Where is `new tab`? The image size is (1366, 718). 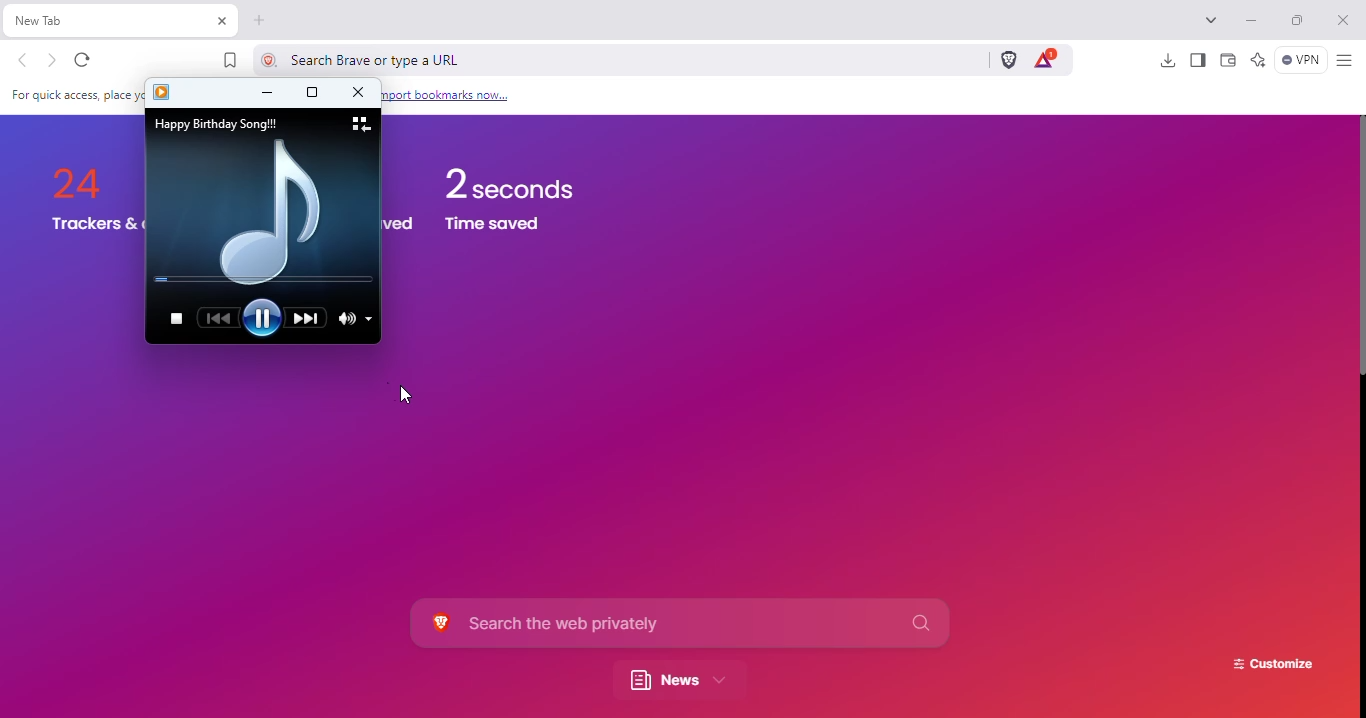
new tab is located at coordinates (260, 21).